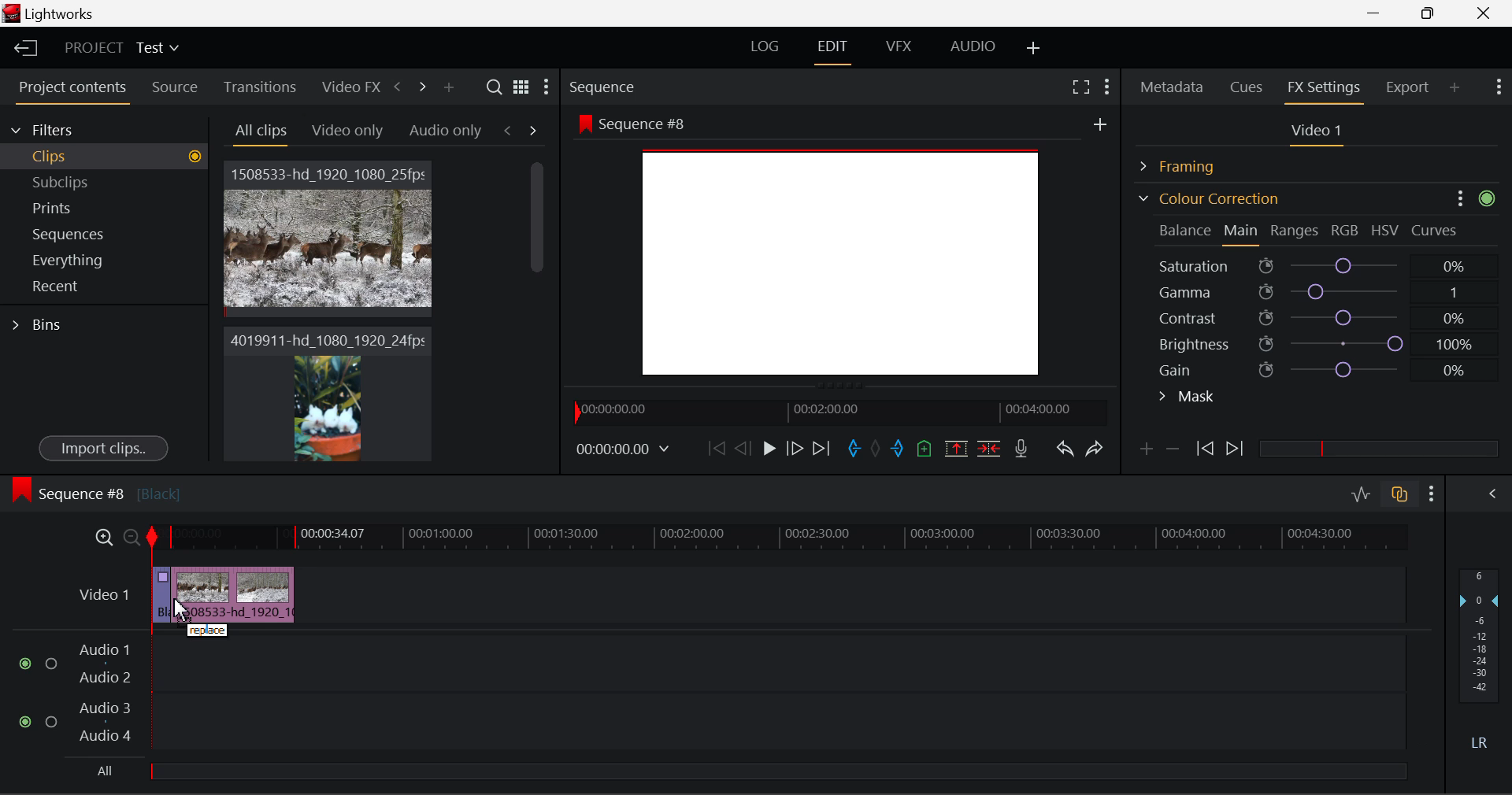 The height and width of the screenshot is (795, 1512). Describe the element at coordinates (327, 408) in the screenshot. I see `Clip 2` at that location.